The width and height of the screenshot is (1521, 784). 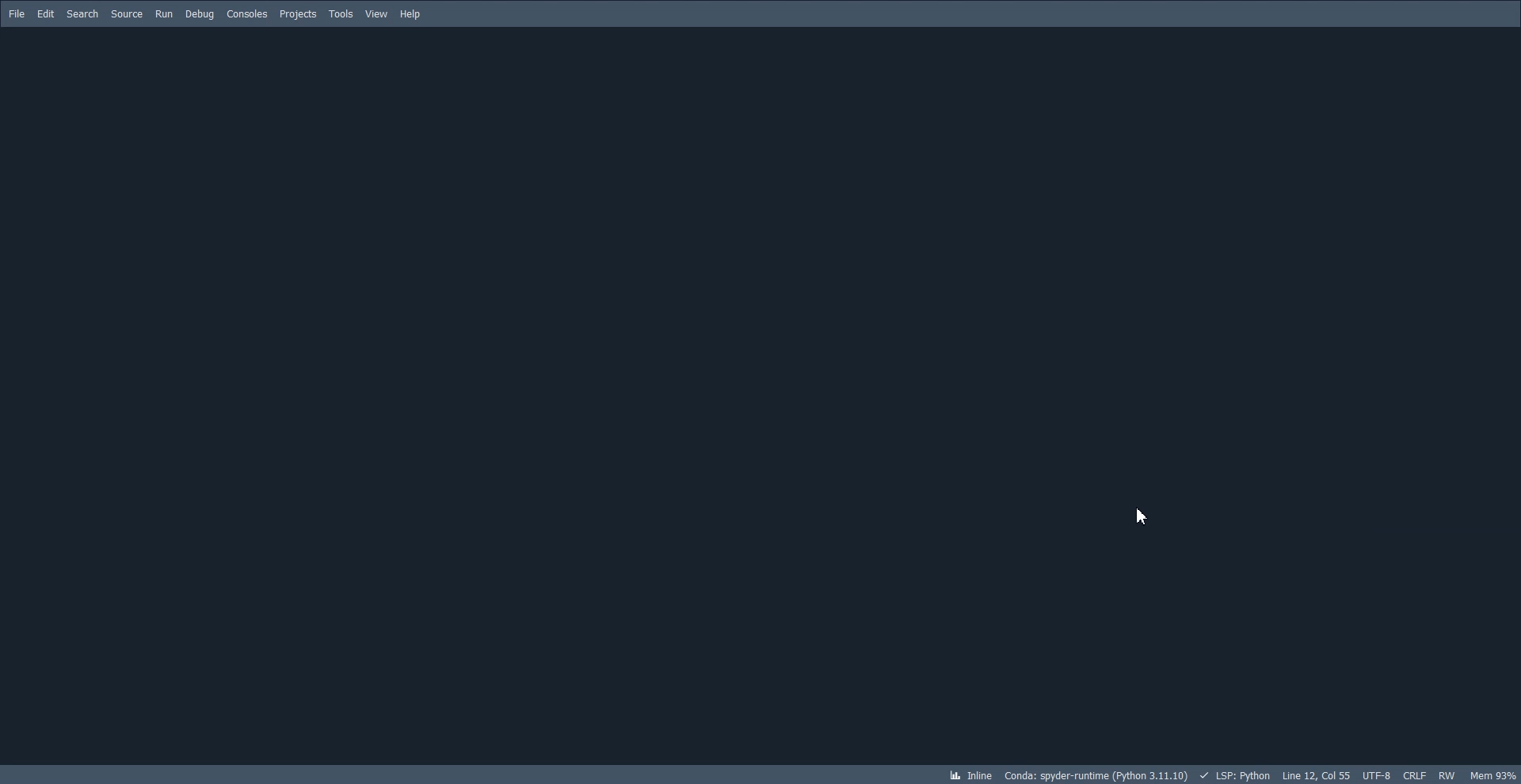 What do you see at coordinates (83, 14) in the screenshot?
I see `Search` at bounding box center [83, 14].